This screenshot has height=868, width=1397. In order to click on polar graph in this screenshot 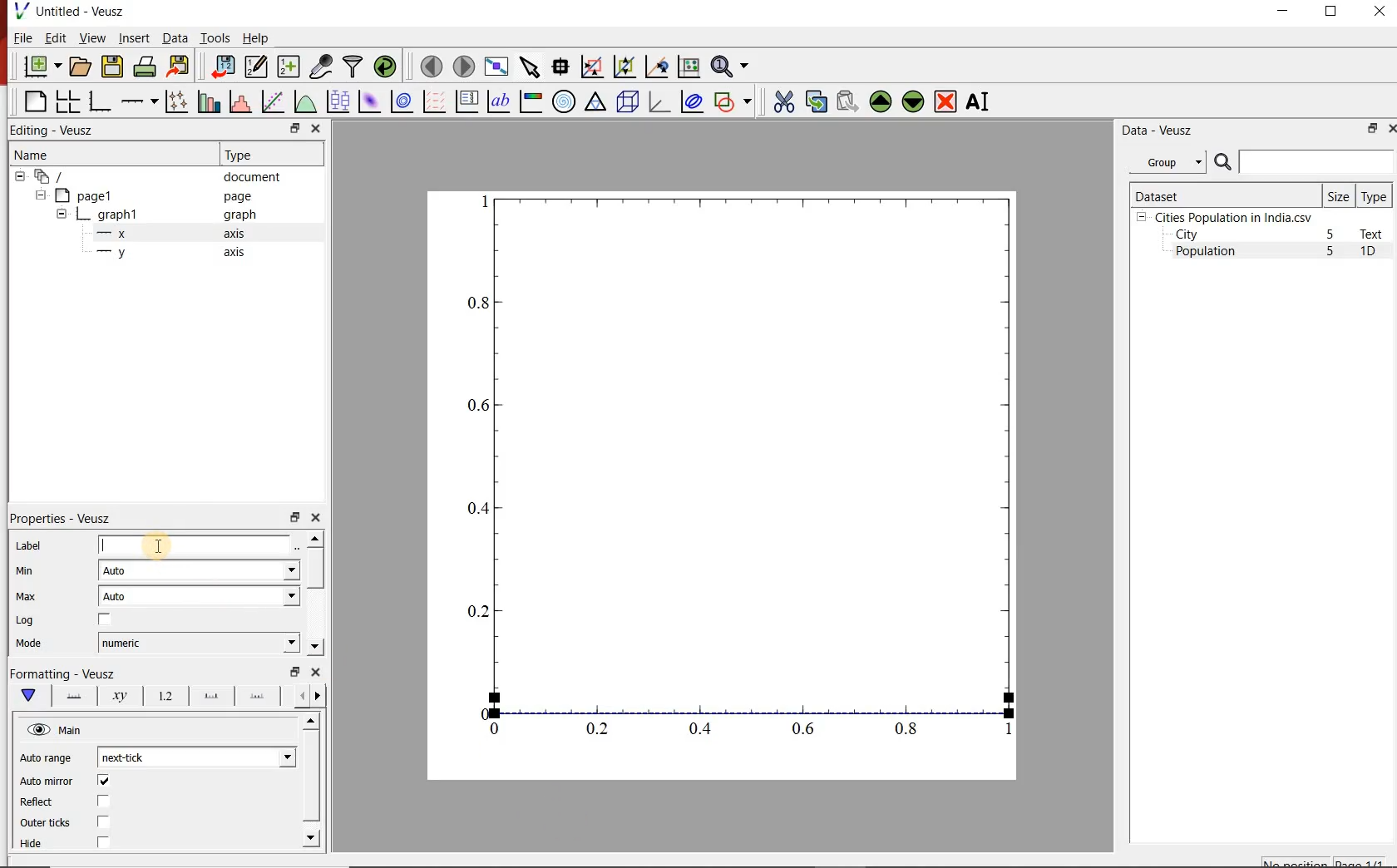, I will do `click(564, 101)`.